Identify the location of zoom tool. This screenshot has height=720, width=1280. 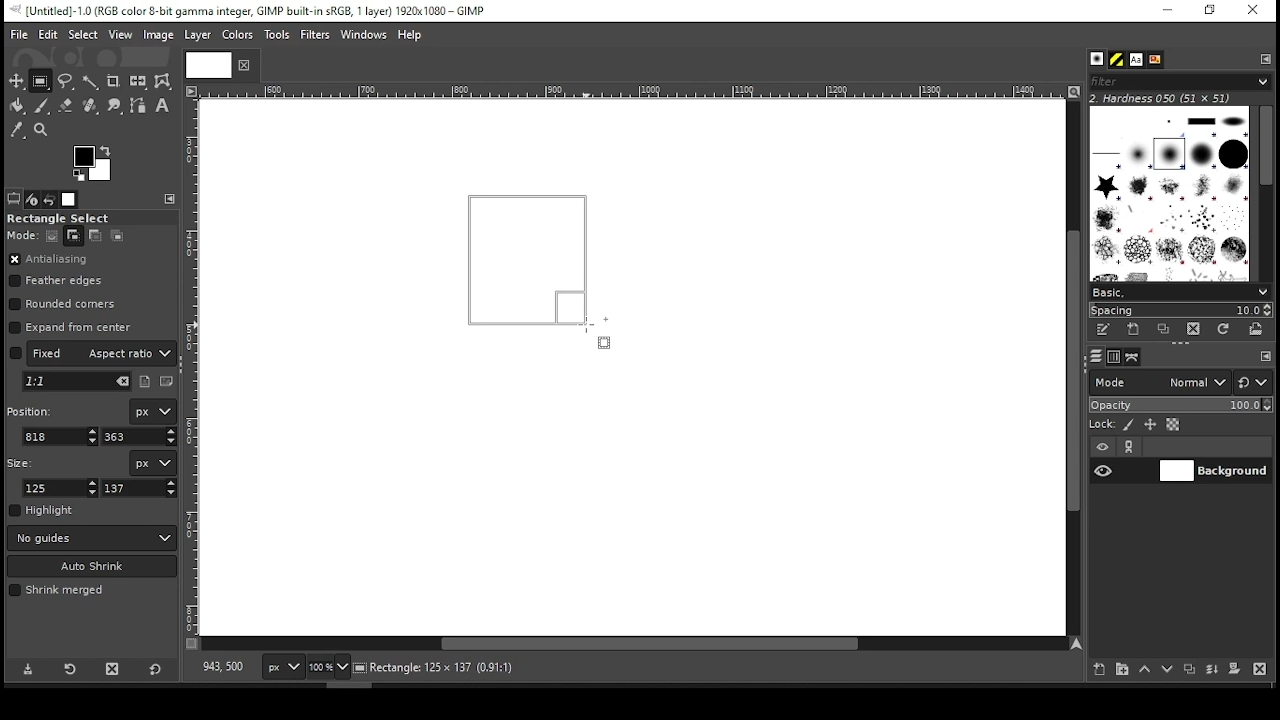
(42, 131).